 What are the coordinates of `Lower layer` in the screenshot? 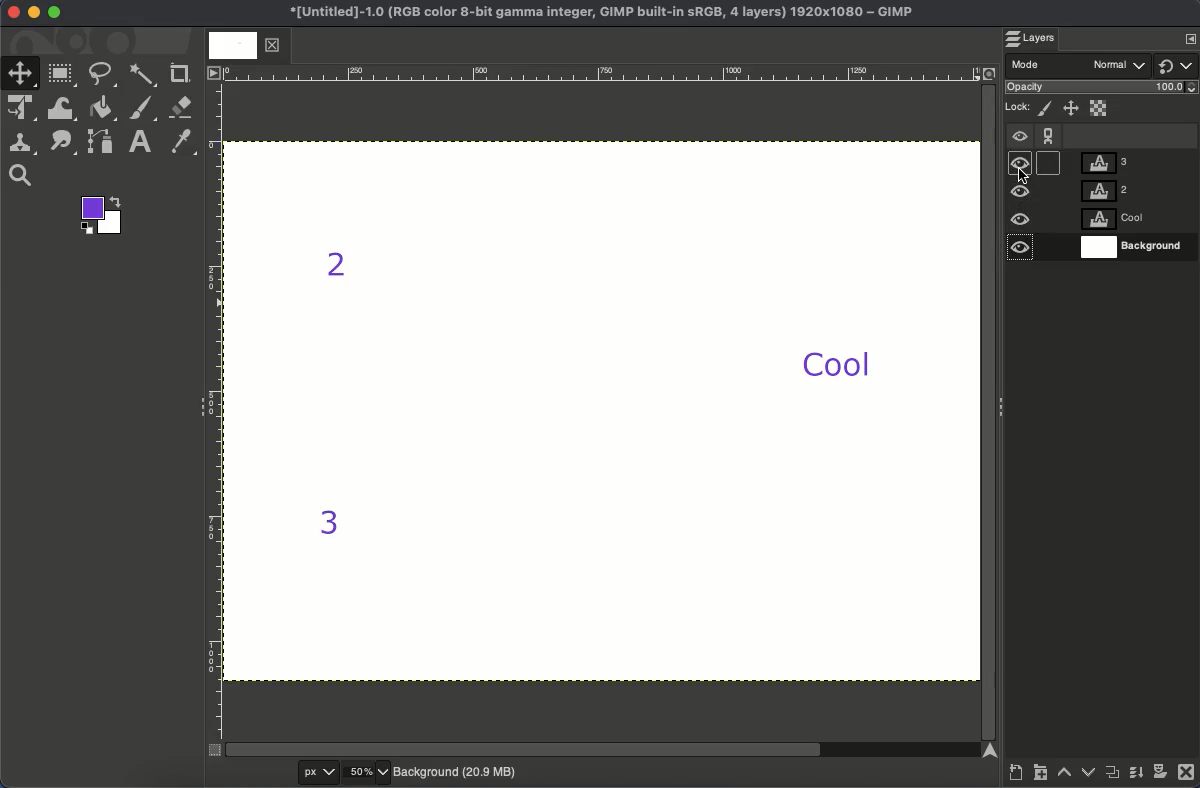 It's located at (1087, 775).